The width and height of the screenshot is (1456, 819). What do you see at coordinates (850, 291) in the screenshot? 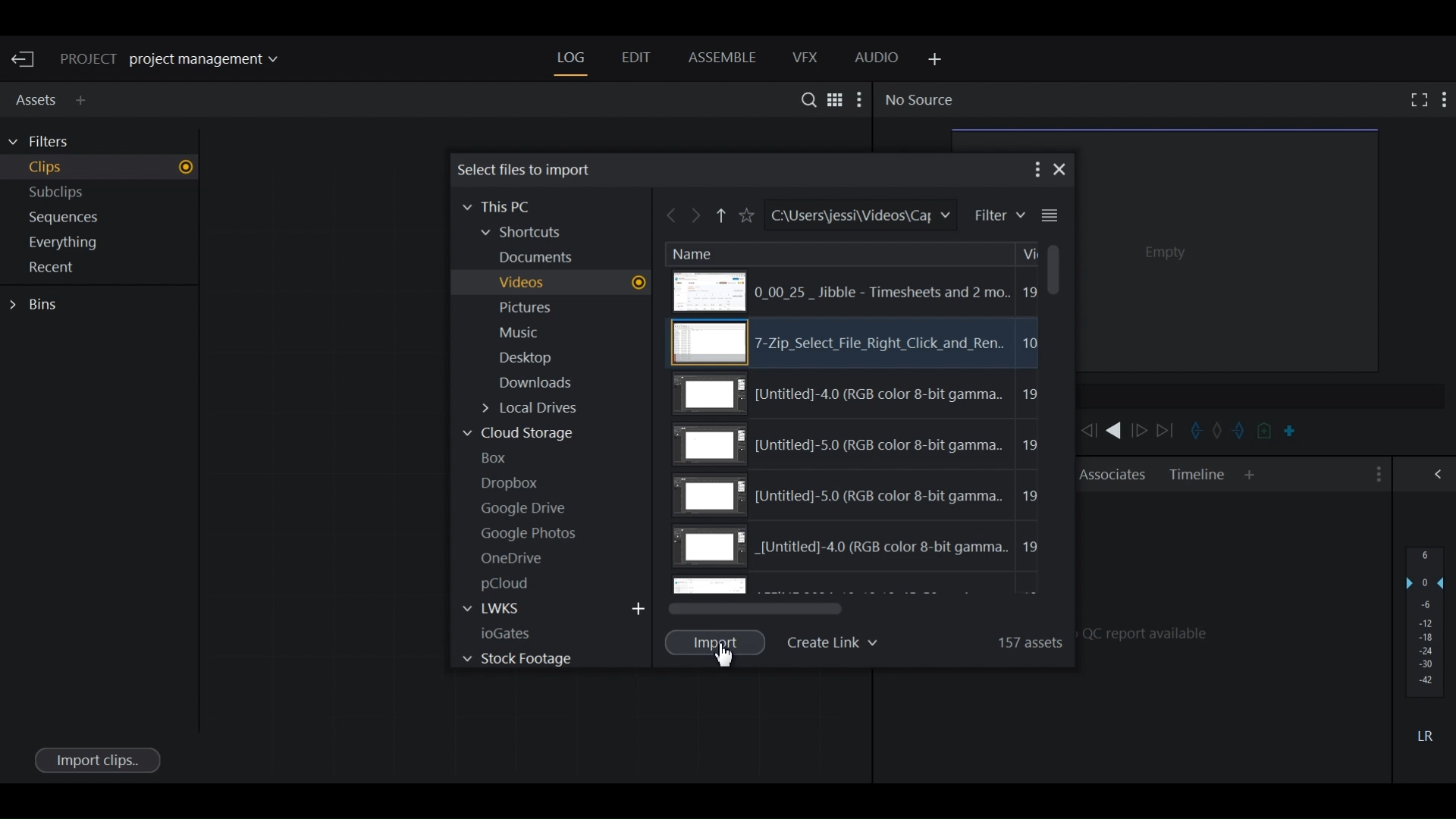
I see `jibble timesheet` at bounding box center [850, 291].